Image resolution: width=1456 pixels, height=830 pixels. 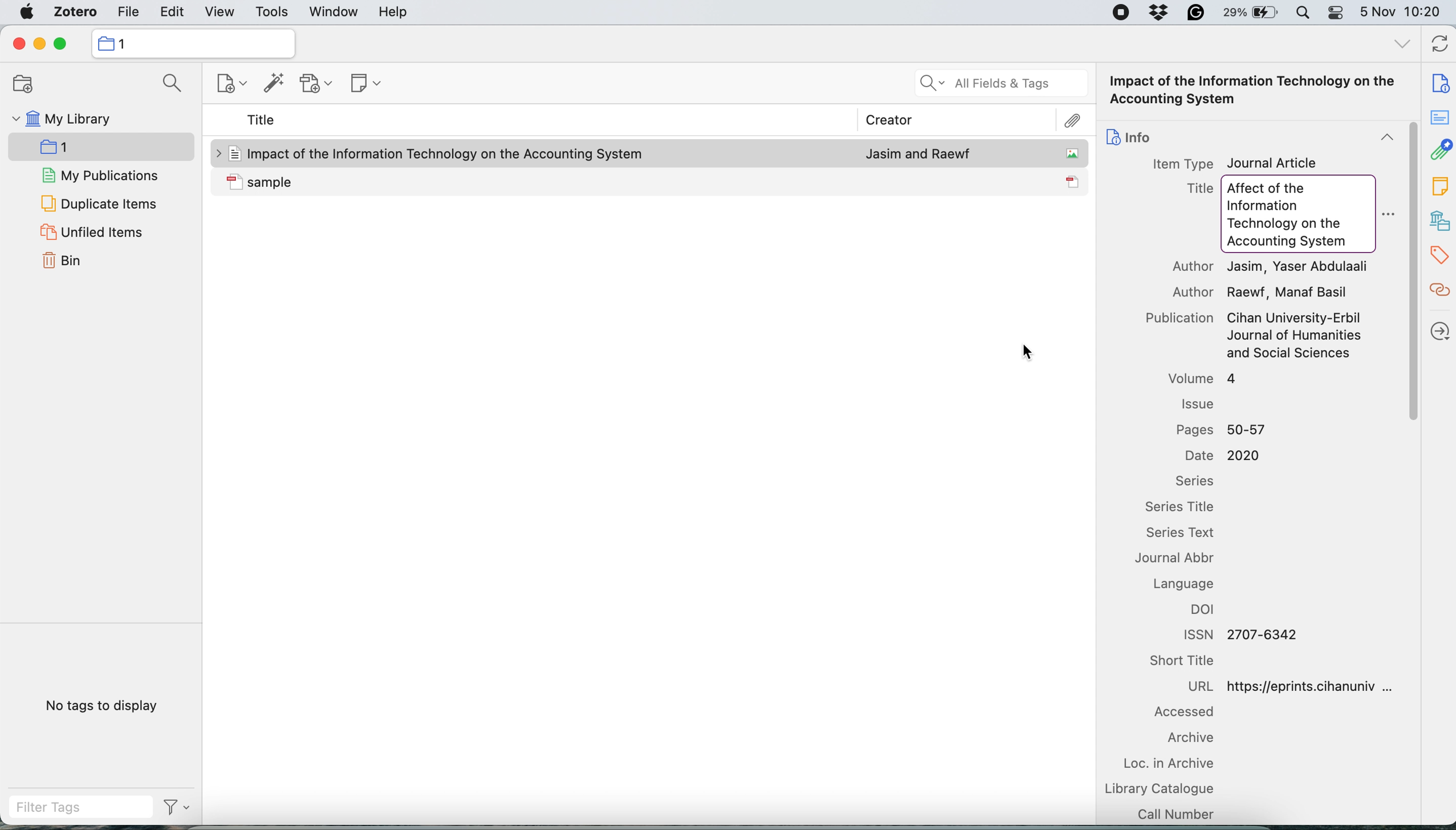 I want to click on info, so click(x=1141, y=137).